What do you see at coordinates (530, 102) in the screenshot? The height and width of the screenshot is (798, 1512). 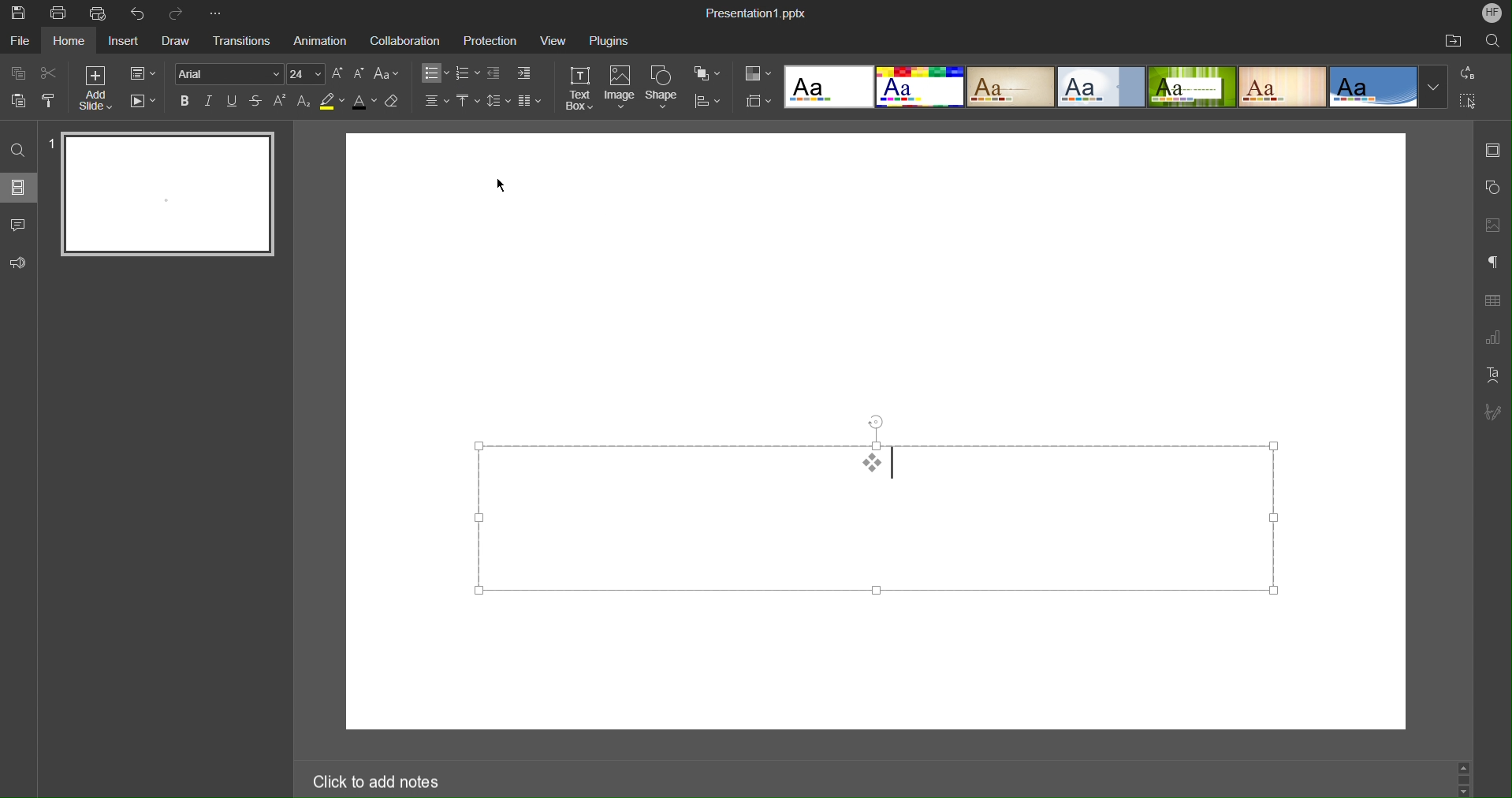 I see `Column` at bounding box center [530, 102].